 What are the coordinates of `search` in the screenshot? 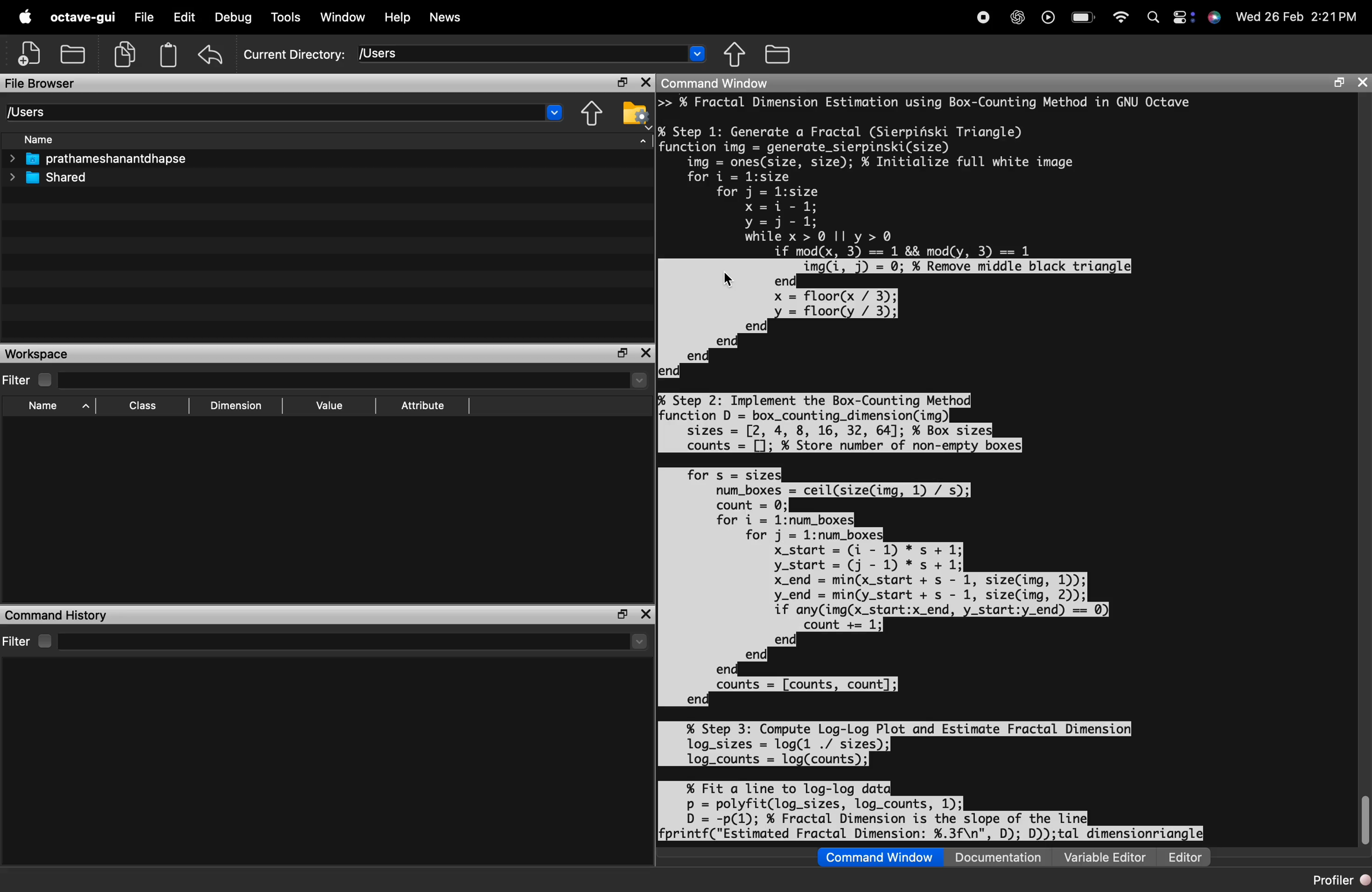 It's located at (1153, 17).